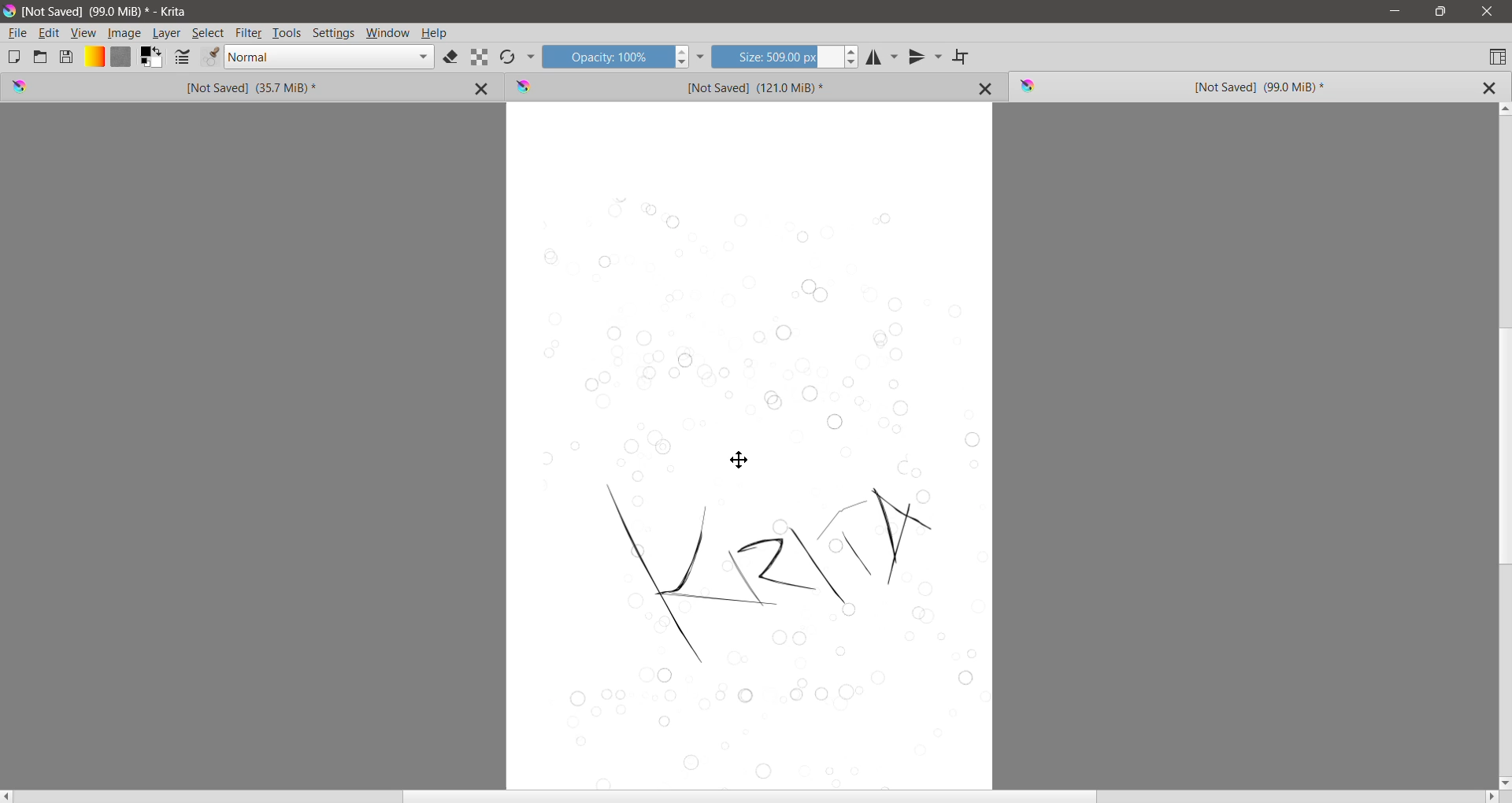 This screenshot has width=1512, height=803. Describe the element at coordinates (507, 57) in the screenshot. I see `Reload Original Preset` at that location.